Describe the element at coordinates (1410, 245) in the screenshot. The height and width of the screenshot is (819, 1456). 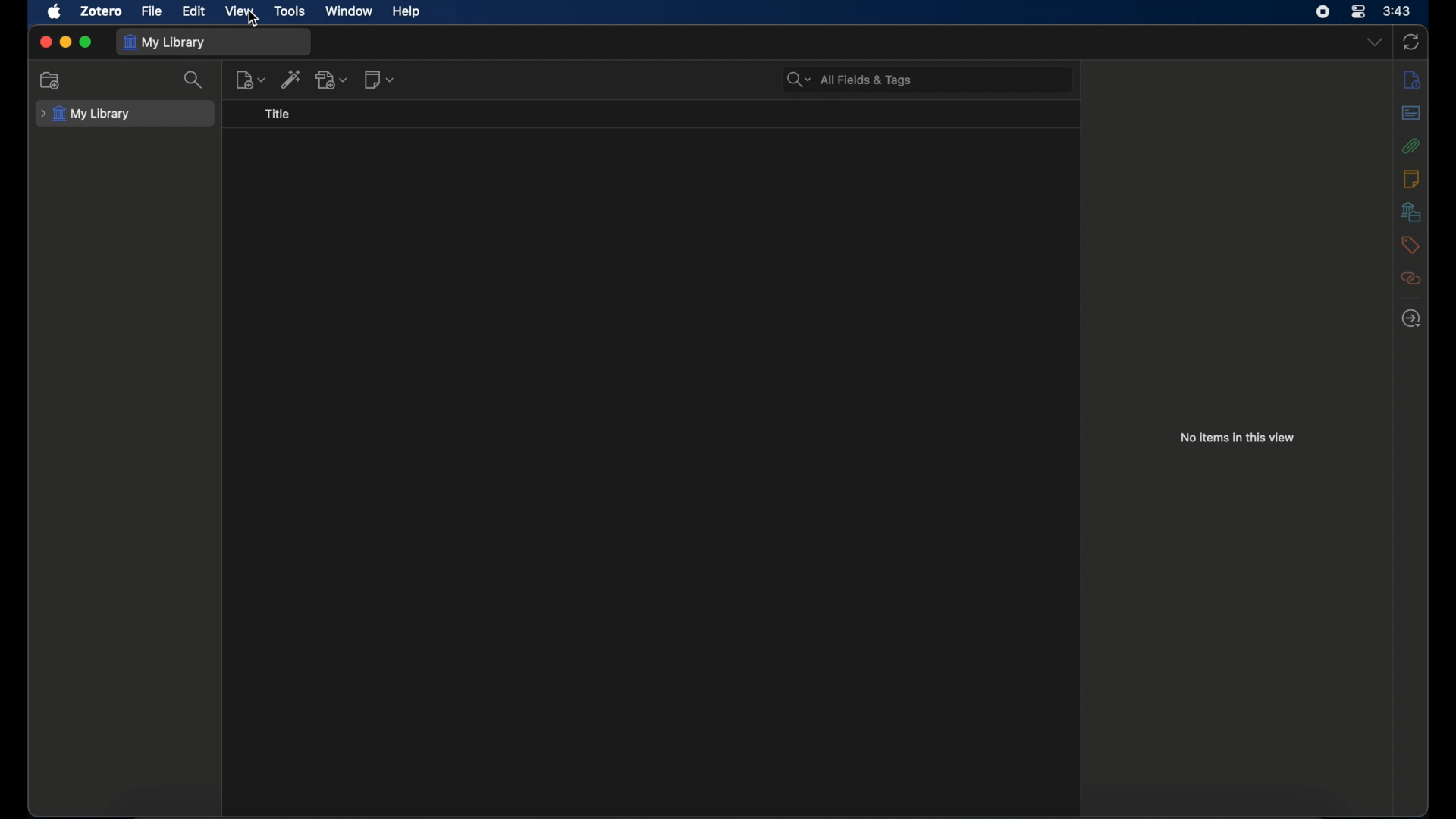
I see `tags` at that location.